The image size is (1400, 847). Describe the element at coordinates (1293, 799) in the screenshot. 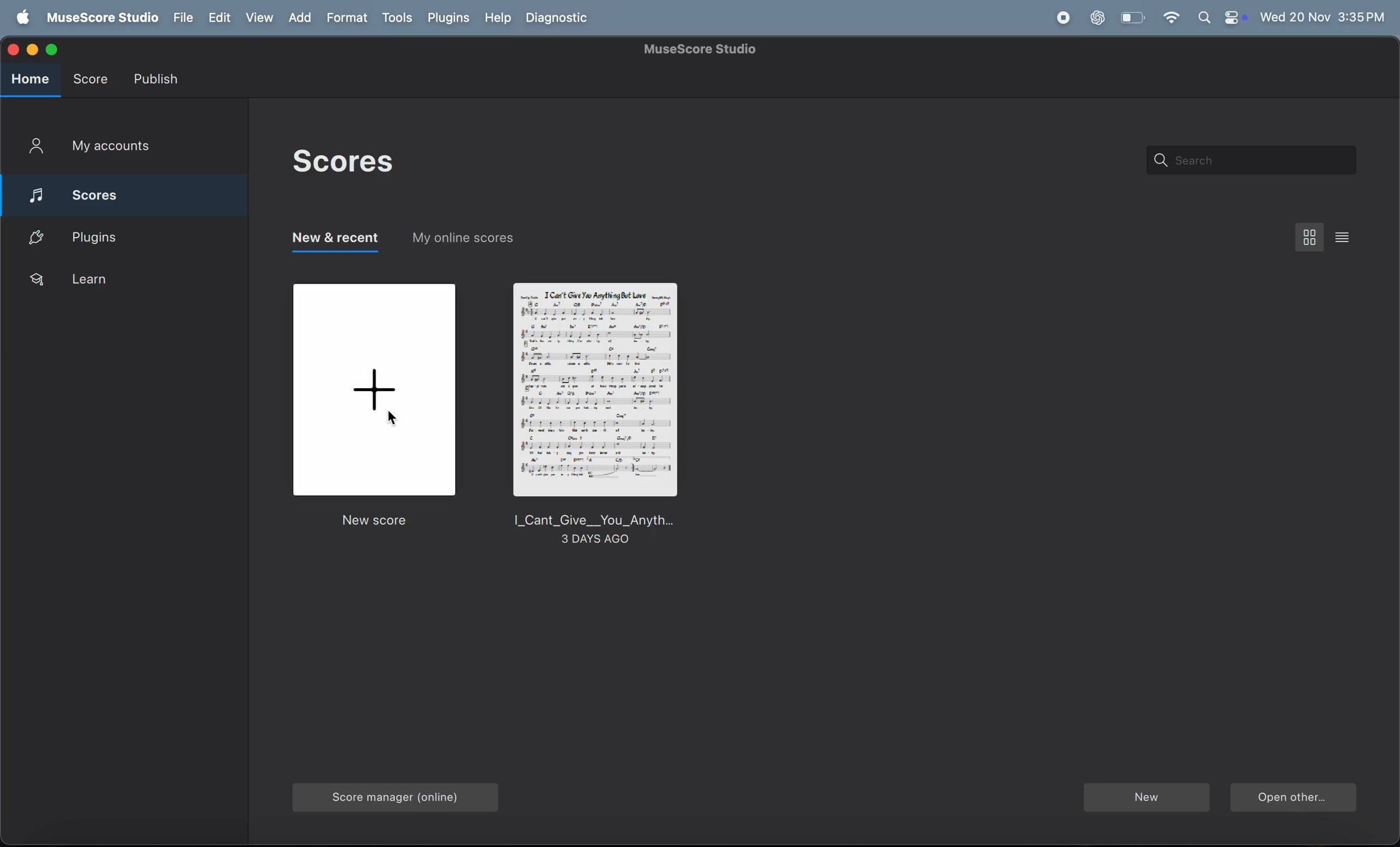

I see `open other` at that location.